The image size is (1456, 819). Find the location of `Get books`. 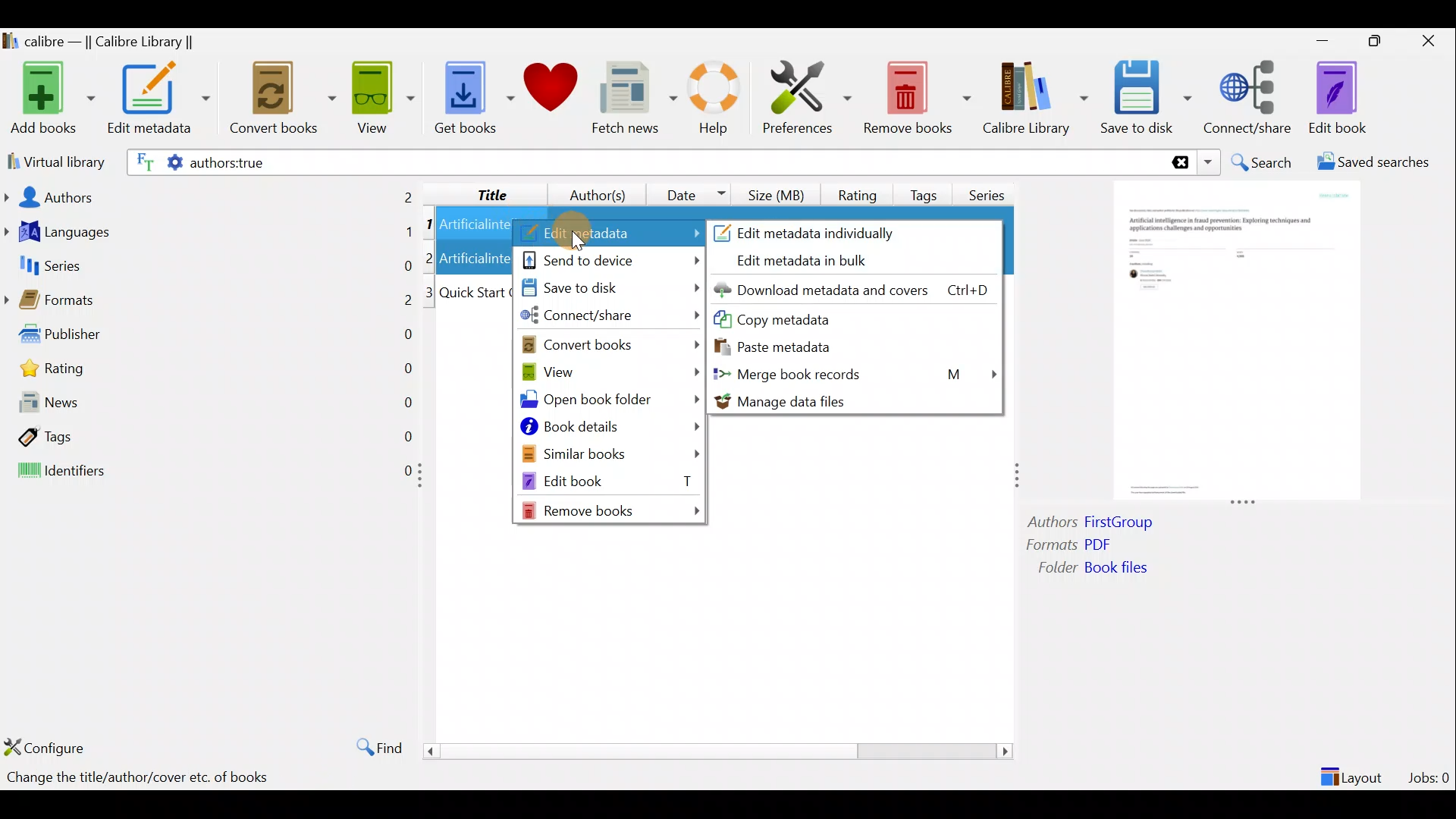

Get books is located at coordinates (472, 96).